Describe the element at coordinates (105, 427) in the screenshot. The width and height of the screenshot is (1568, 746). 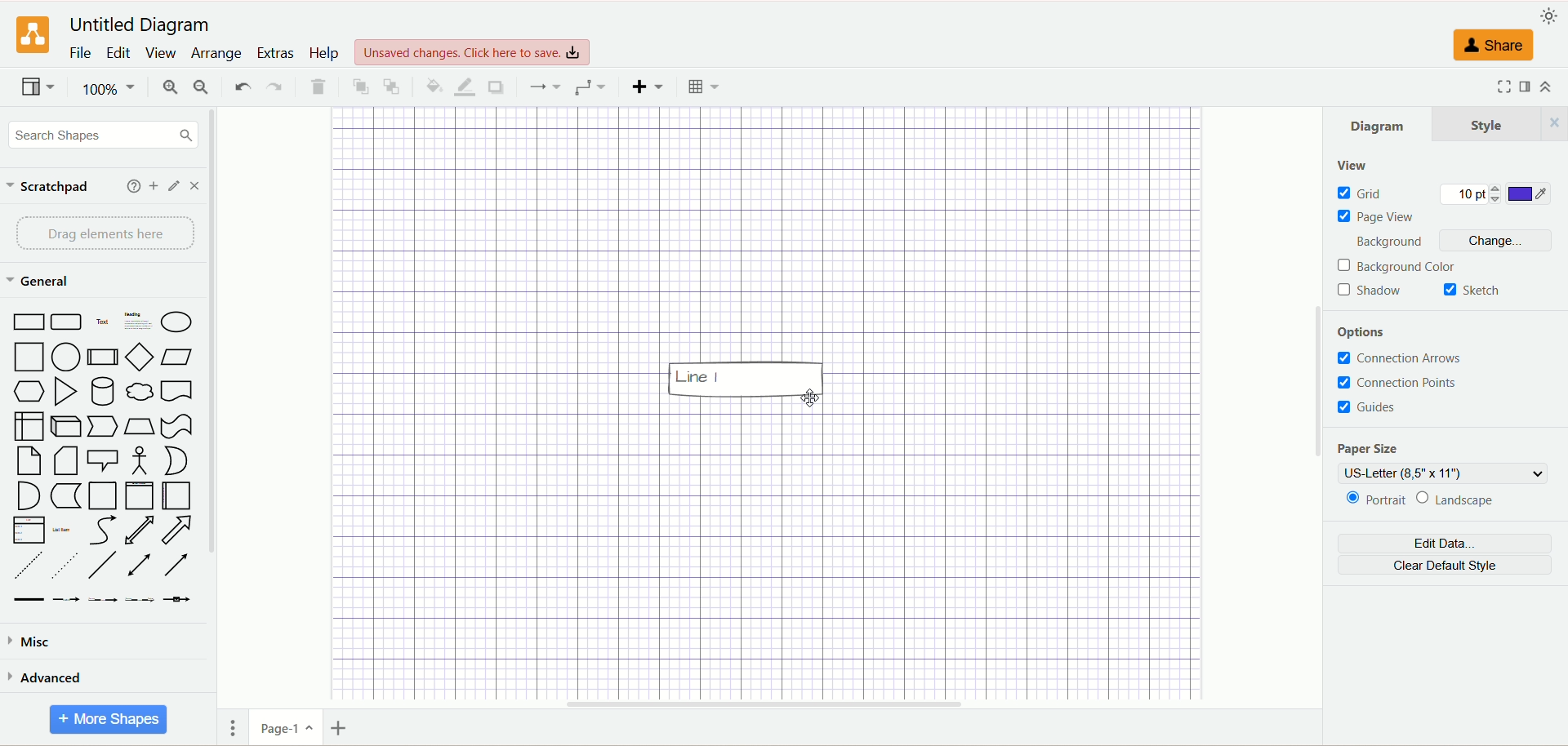
I see `Step` at that location.